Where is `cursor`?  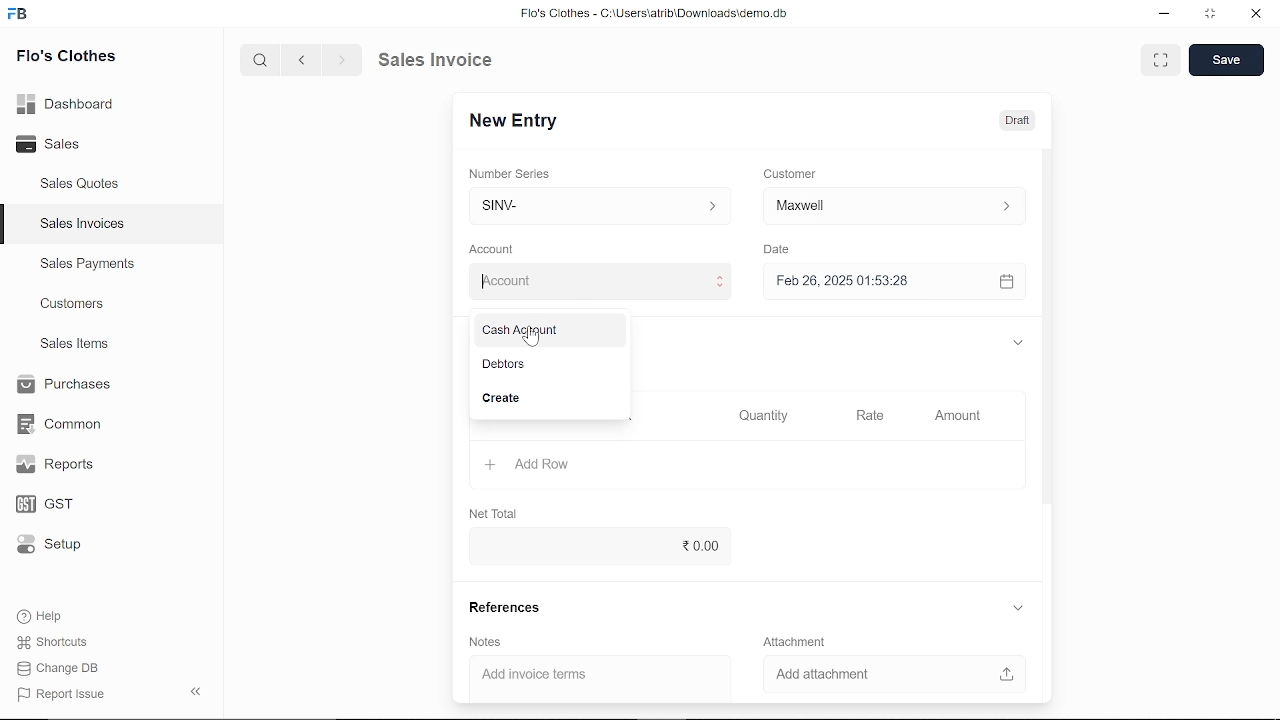 cursor is located at coordinates (529, 337).